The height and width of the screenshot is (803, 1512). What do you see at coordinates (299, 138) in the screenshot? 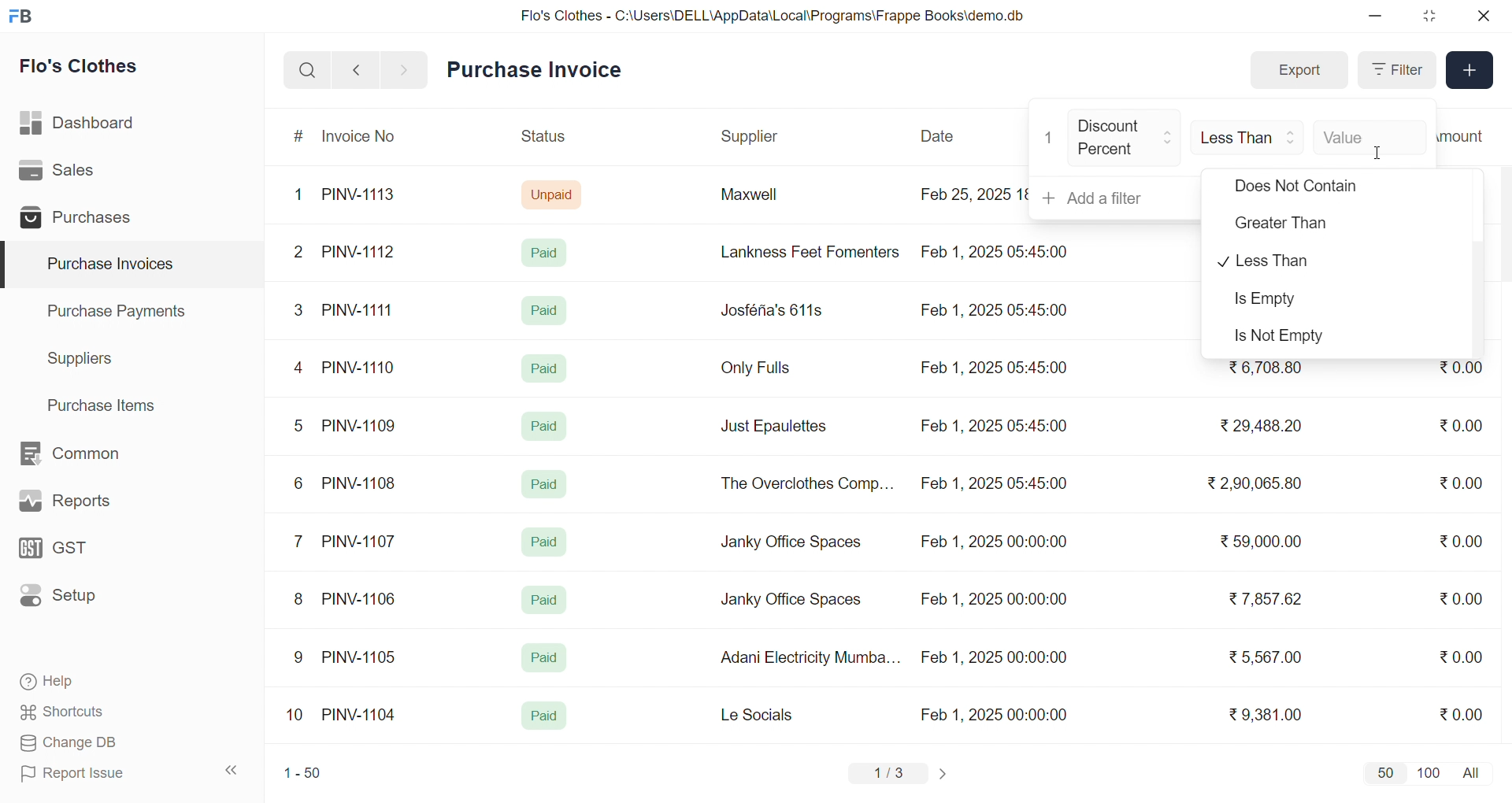
I see `#` at bounding box center [299, 138].